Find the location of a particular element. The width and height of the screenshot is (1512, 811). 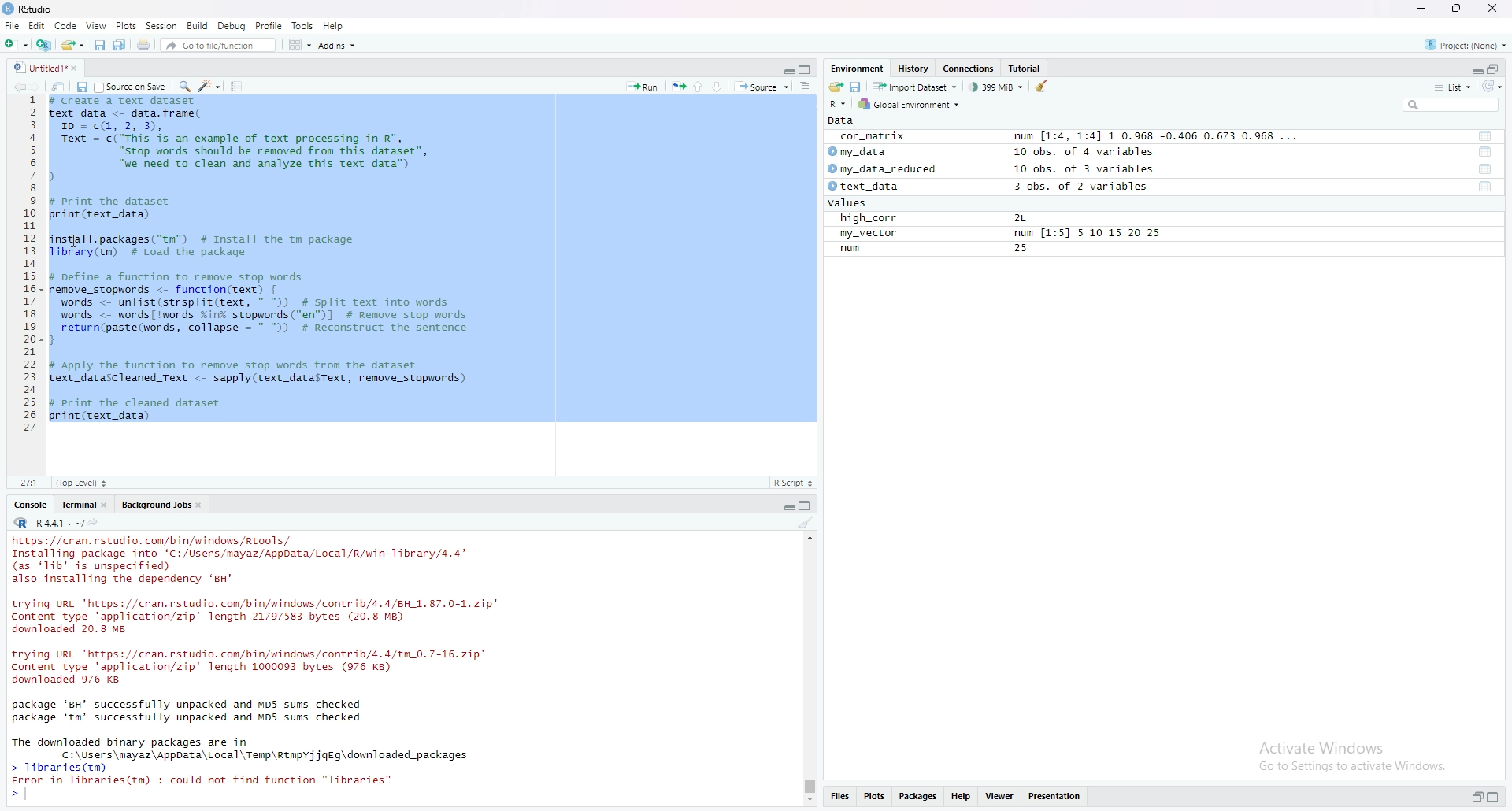

clear console is located at coordinates (807, 523).